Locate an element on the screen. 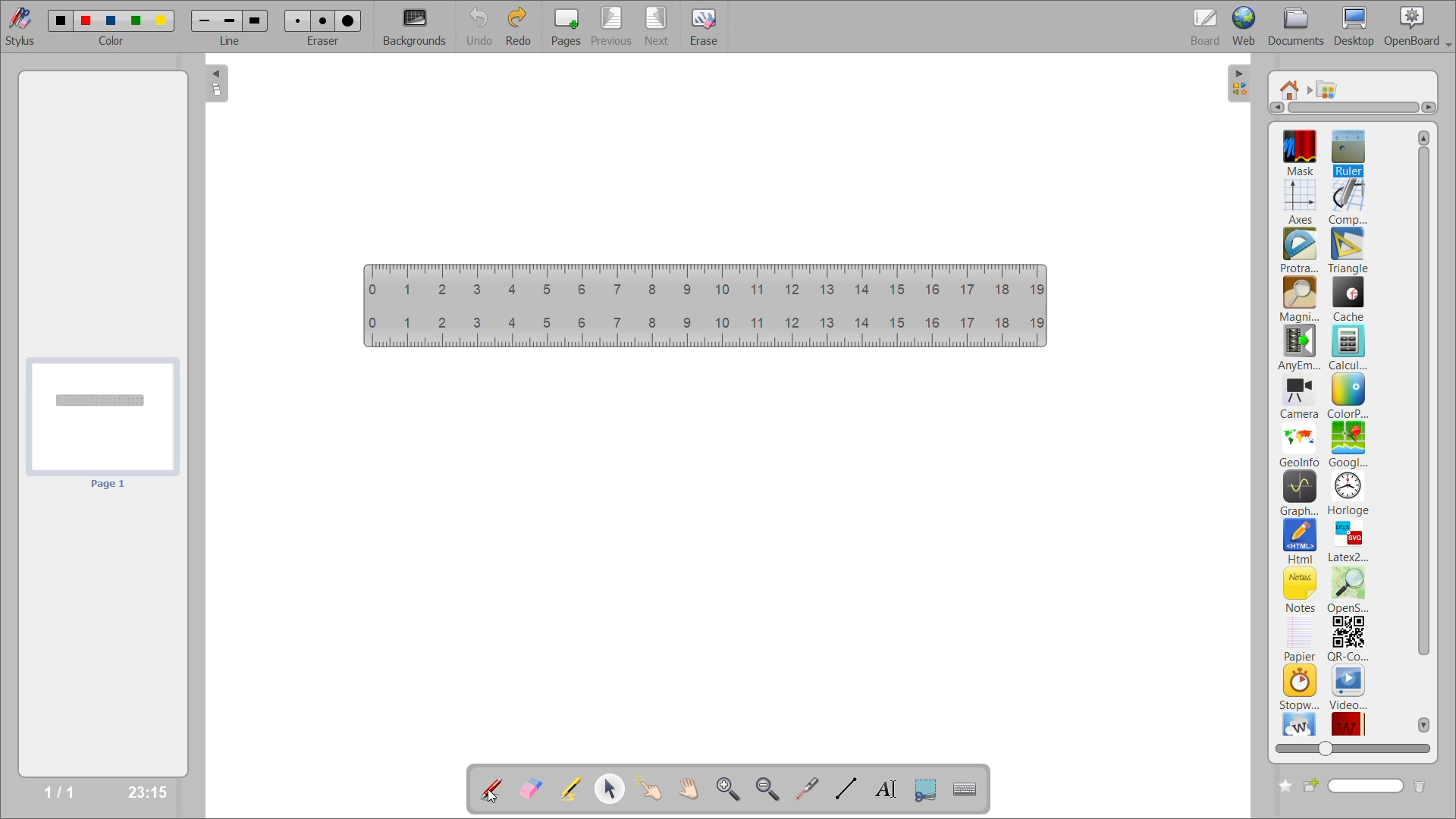 The width and height of the screenshot is (1456, 819). notes is located at coordinates (1301, 589).